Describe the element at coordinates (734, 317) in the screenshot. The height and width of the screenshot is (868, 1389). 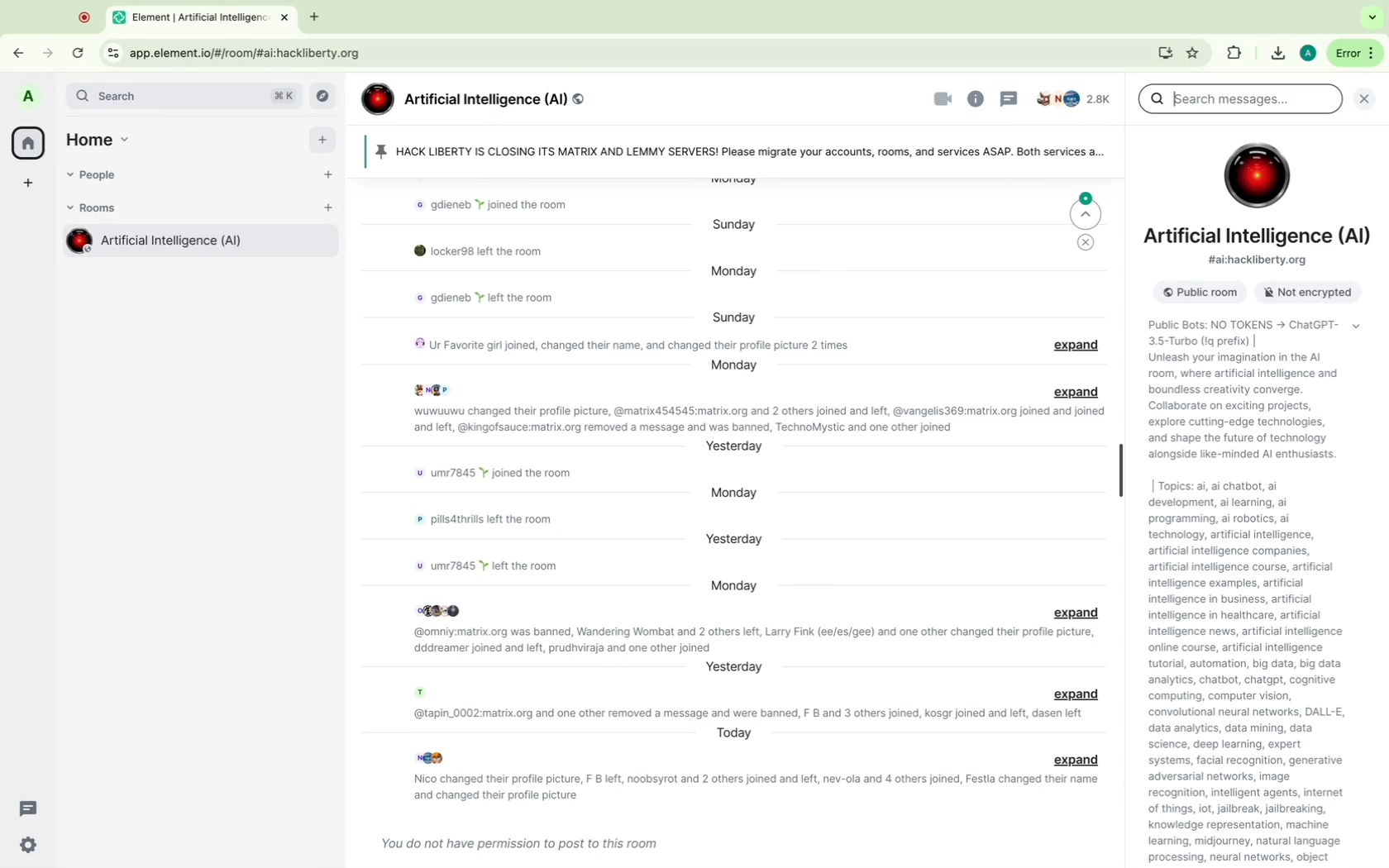
I see `day` at that location.